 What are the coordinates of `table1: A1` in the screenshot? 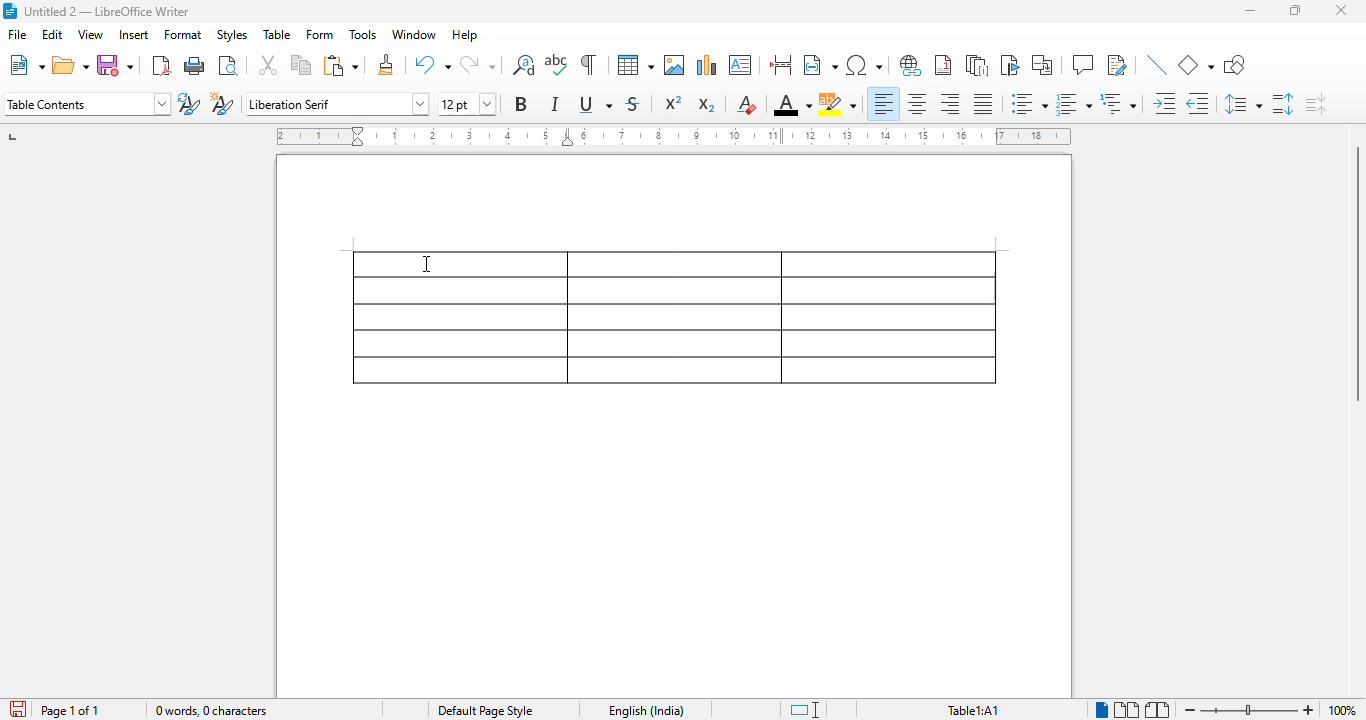 It's located at (973, 711).